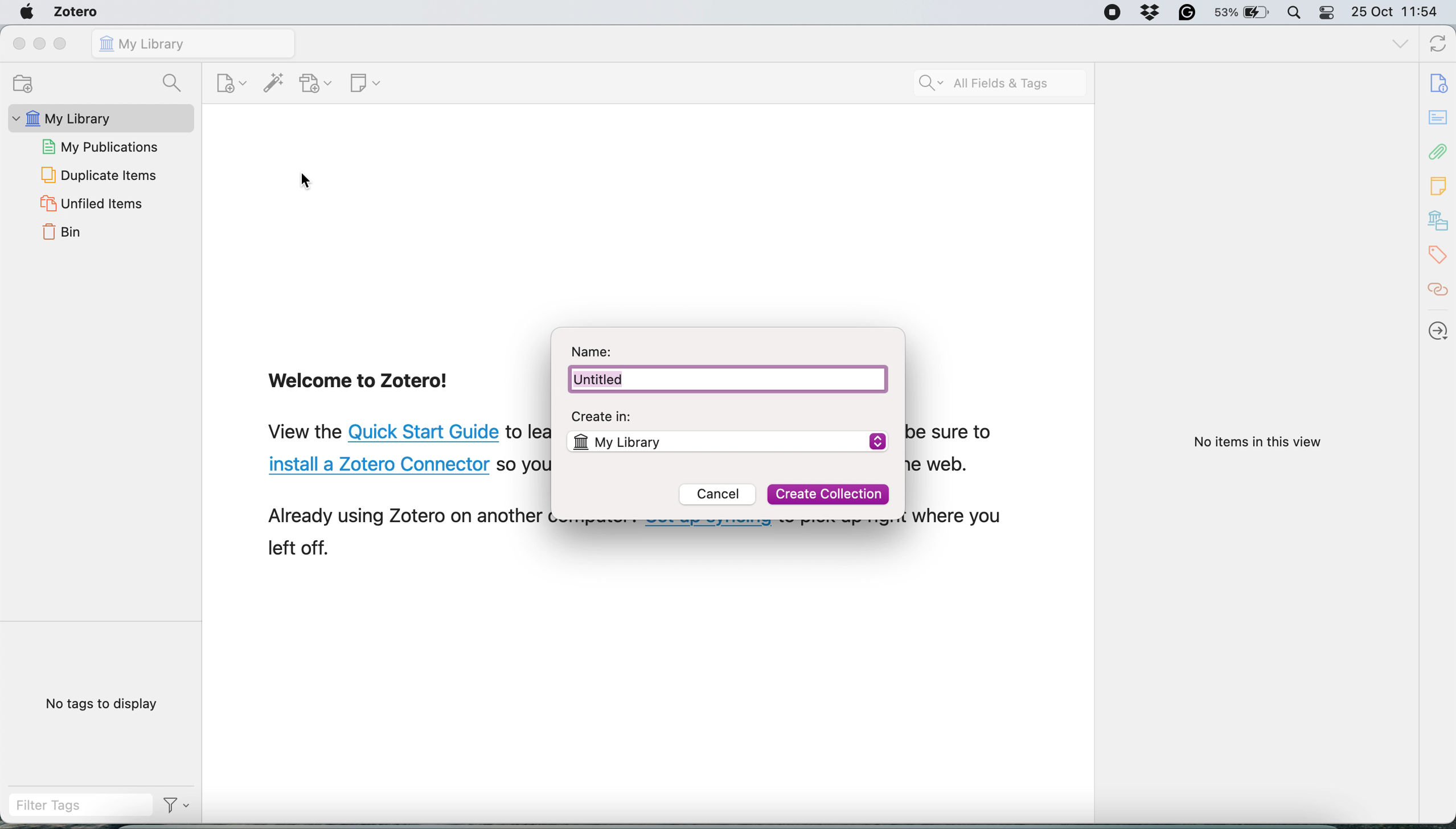  What do you see at coordinates (18, 43) in the screenshot?
I see `close` at bounding box center [18, 43].